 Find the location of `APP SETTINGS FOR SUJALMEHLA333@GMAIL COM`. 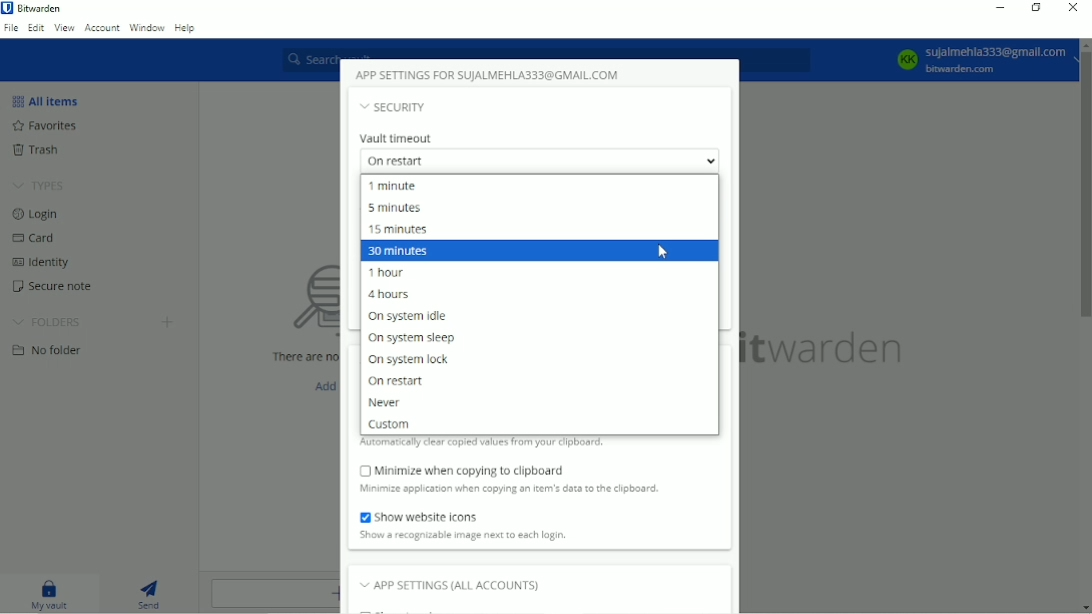

APP SETTINGS FOR SUJALMEHLA333@GMAIL COM is located at coordinates (490, 74).